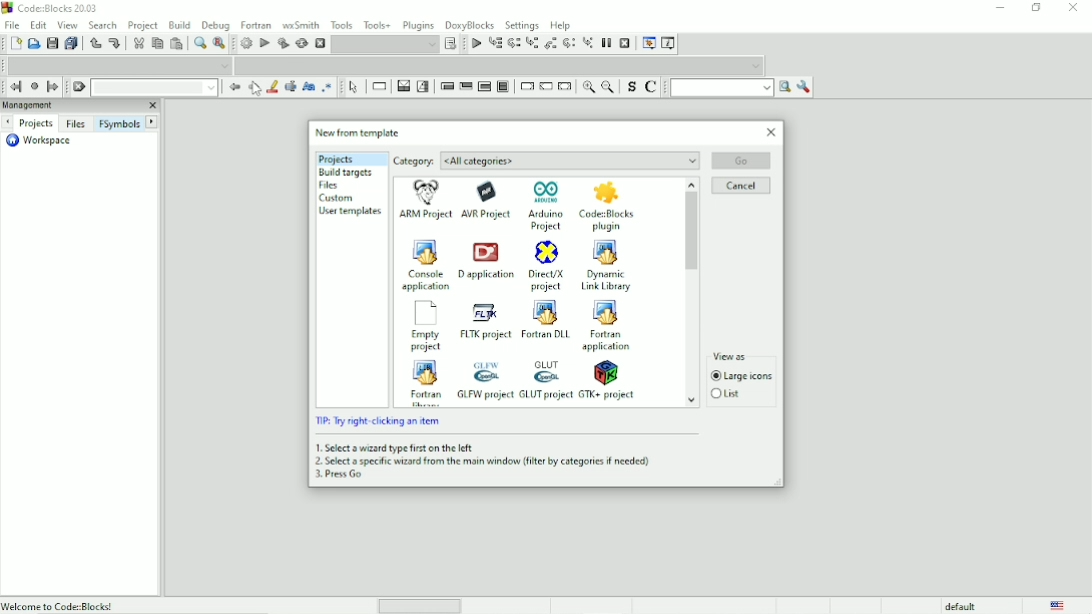 This screenshot has height=614, width=1092. Describe the element at coordinates (256, 24) in the screenshot. I see `Fortran` at that location.